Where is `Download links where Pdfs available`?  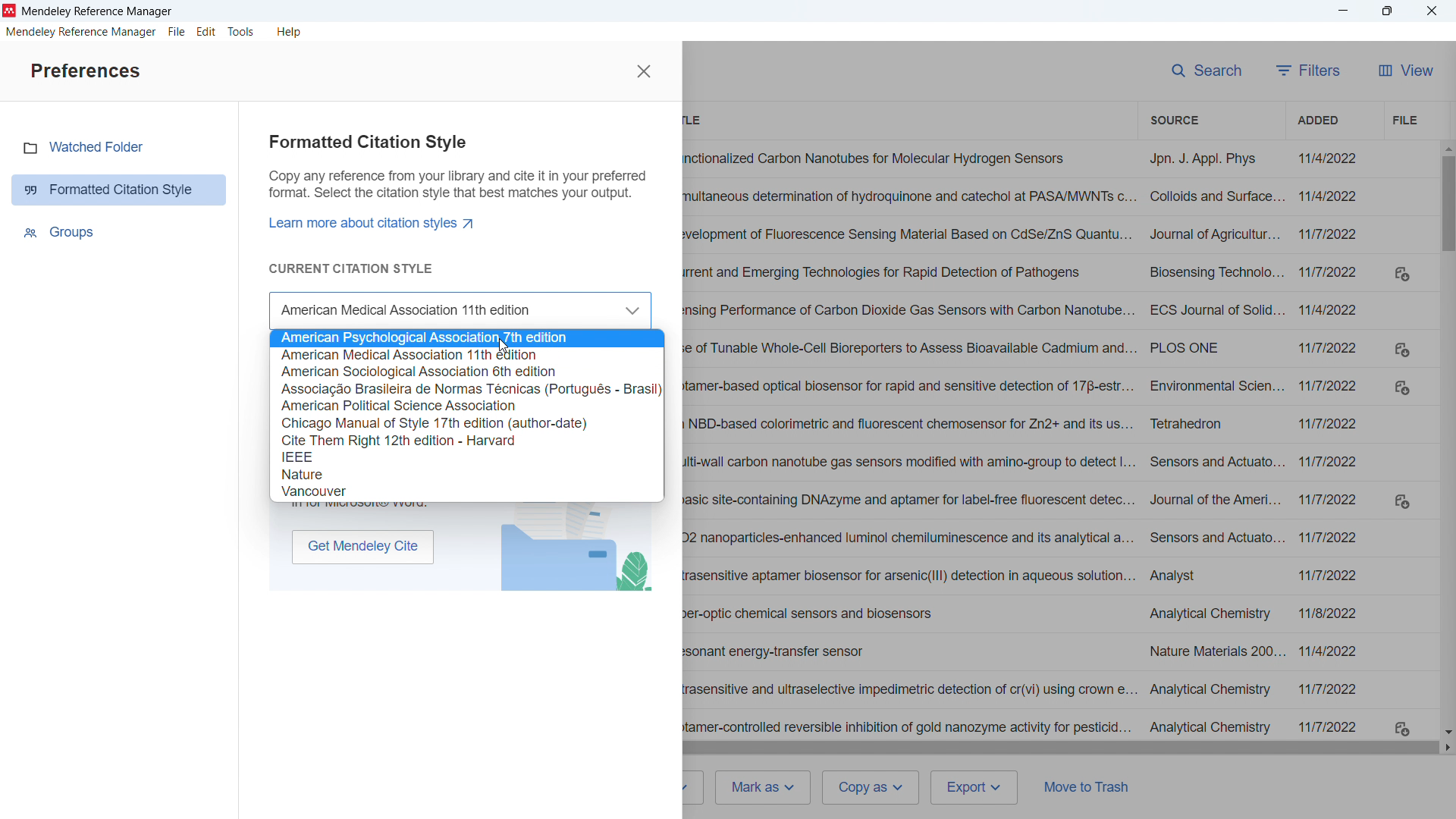 Download links where Pdfs available is located at coordinates (1403, 501).